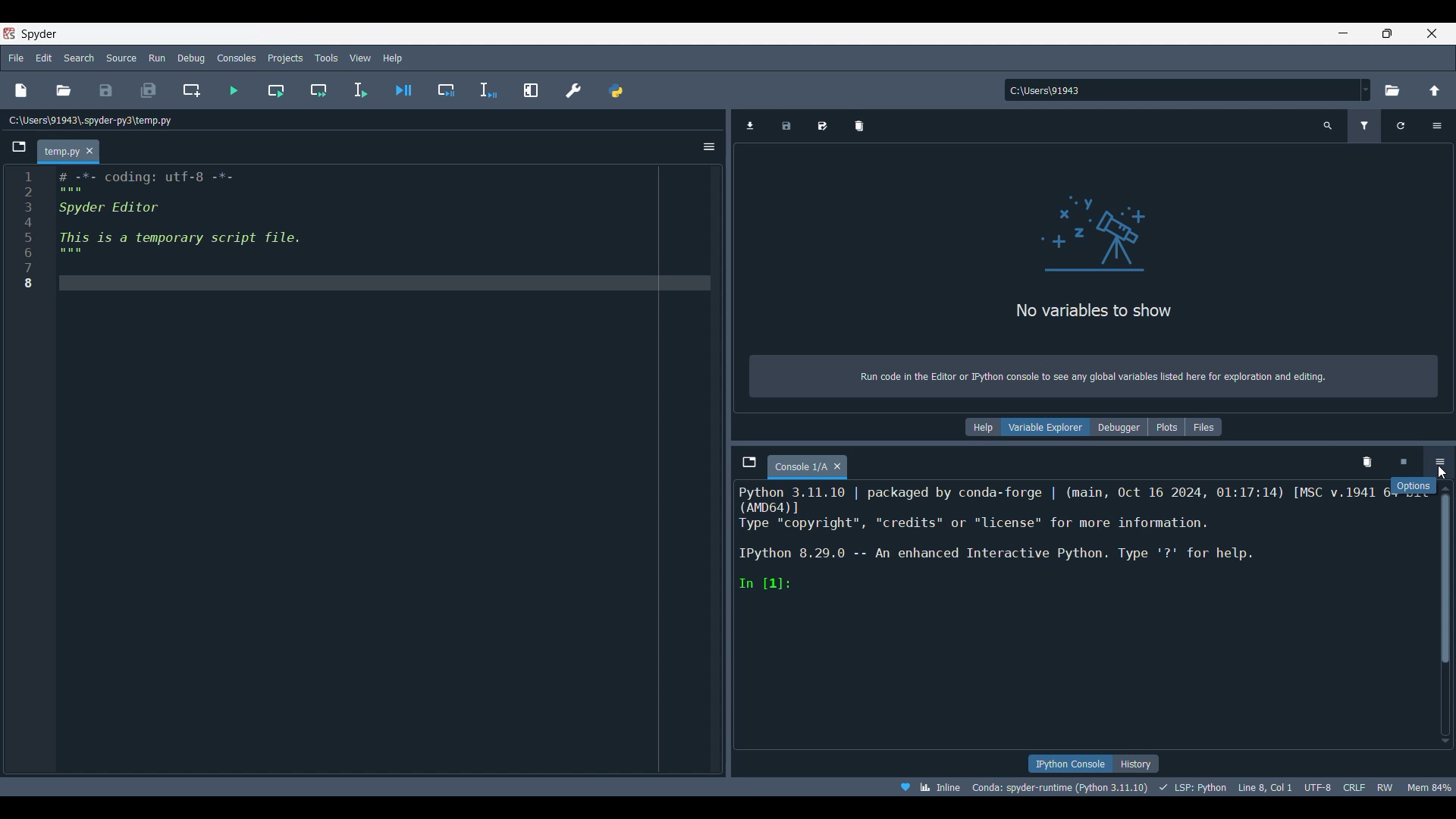  What do you see at coordinates (1046, 427) in the screenshot?
I see `Variable explorer` at bounding box center [1046, 427].